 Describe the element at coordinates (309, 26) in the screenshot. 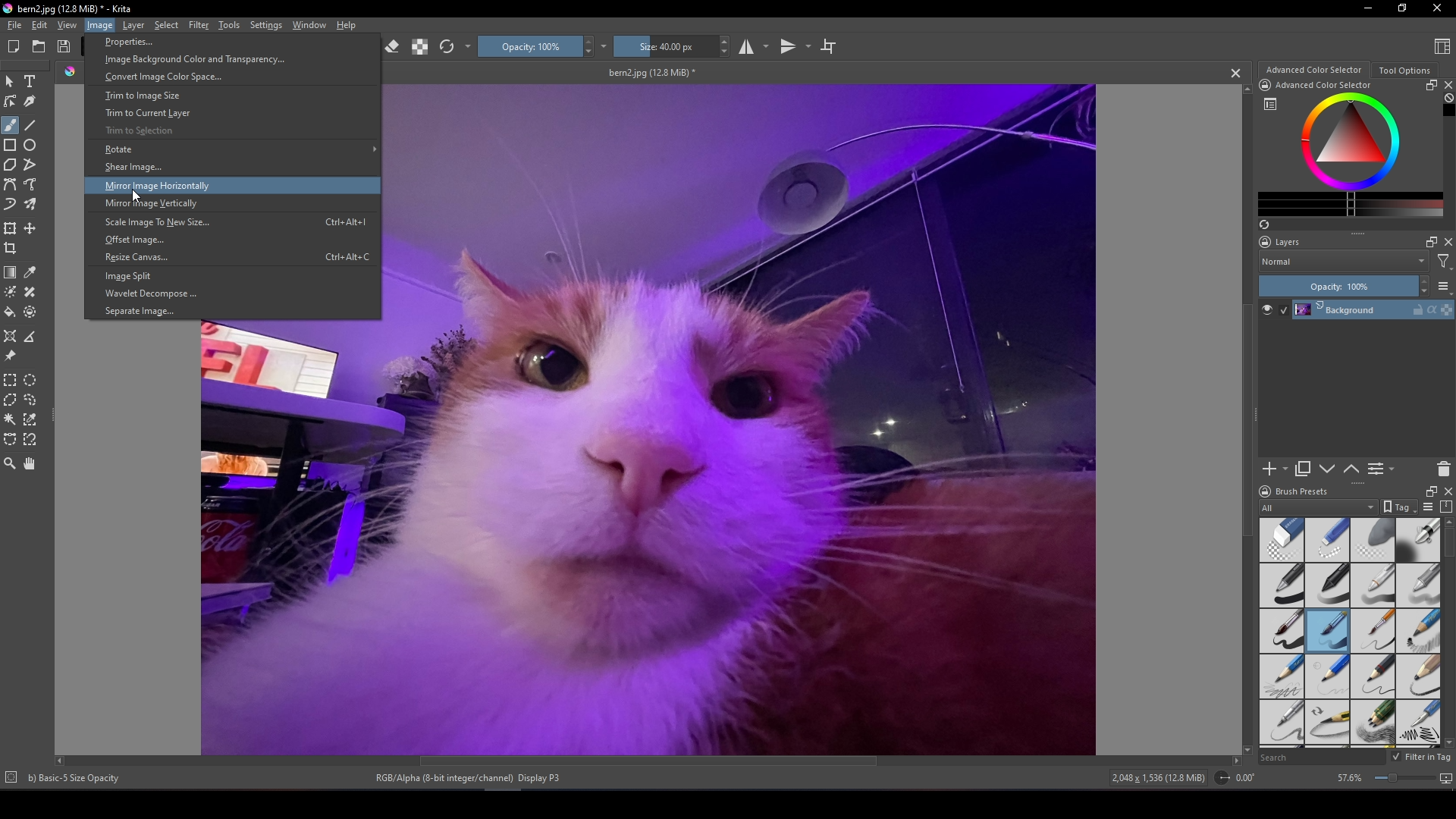

I see `Window` at that location.